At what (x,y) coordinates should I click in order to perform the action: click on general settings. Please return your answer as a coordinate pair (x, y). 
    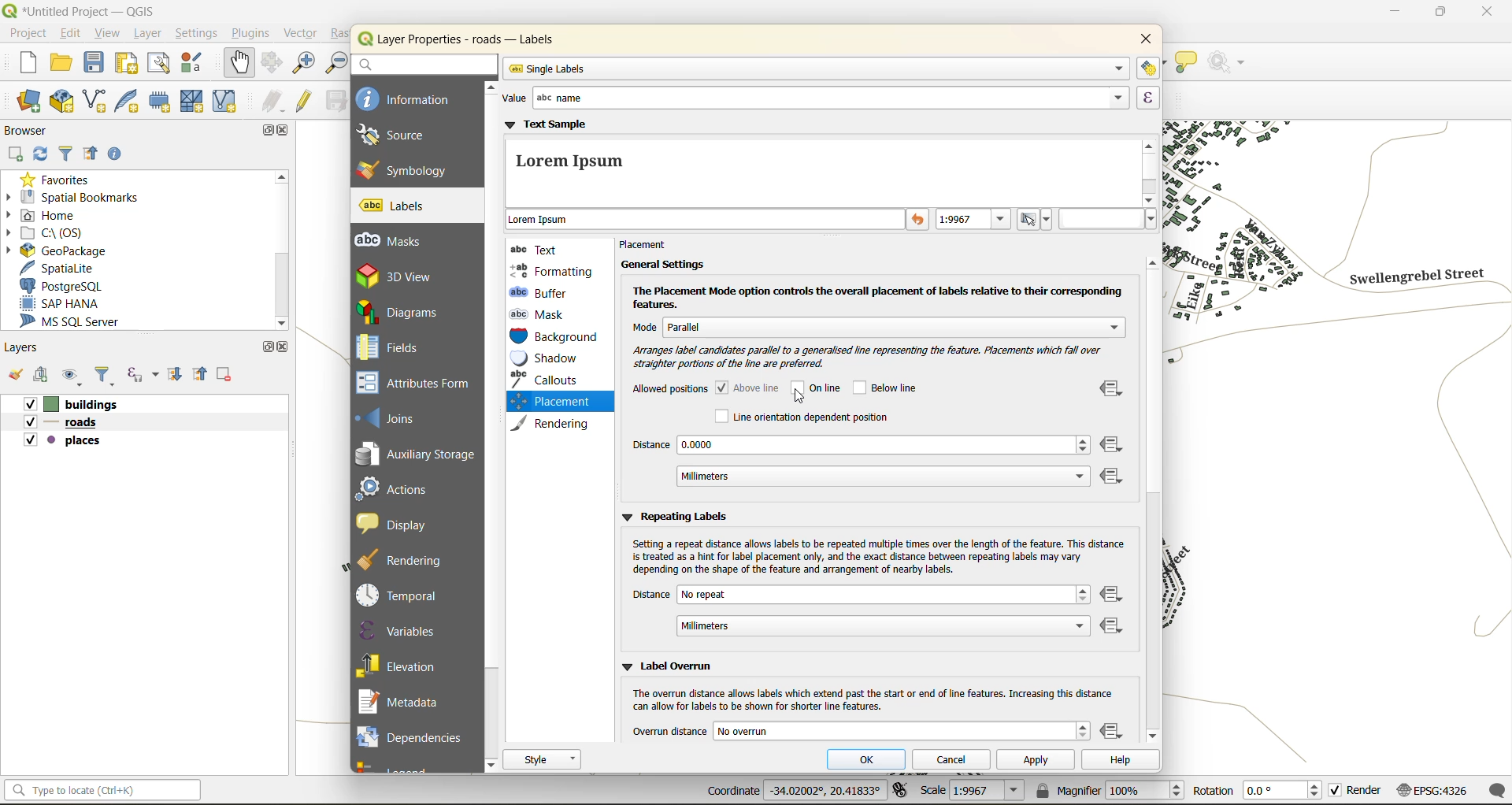
    Looking at the image, I should click on (661, 264).